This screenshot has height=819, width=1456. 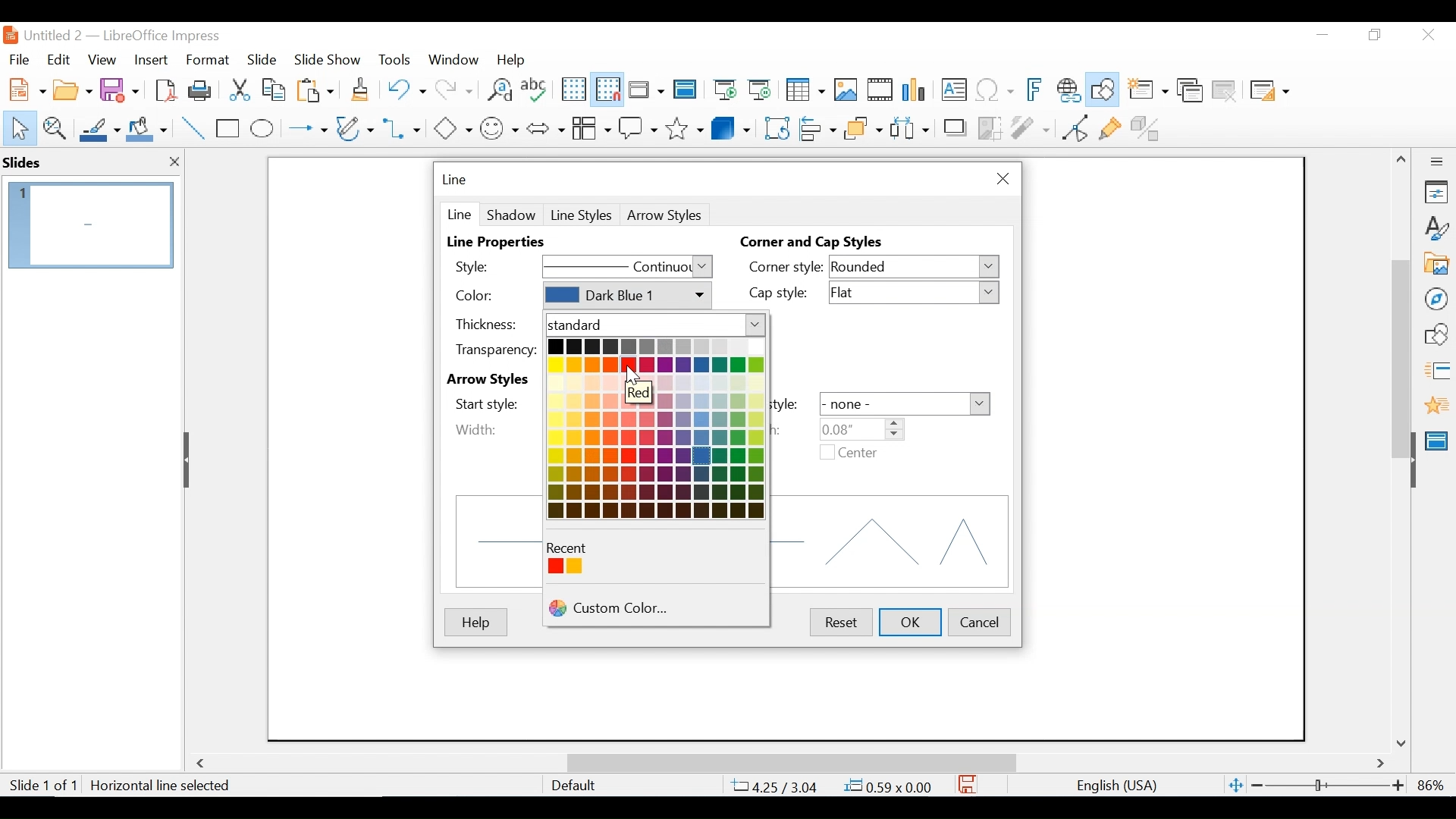 I want to click on Styles, so click(x=1437, y=229).